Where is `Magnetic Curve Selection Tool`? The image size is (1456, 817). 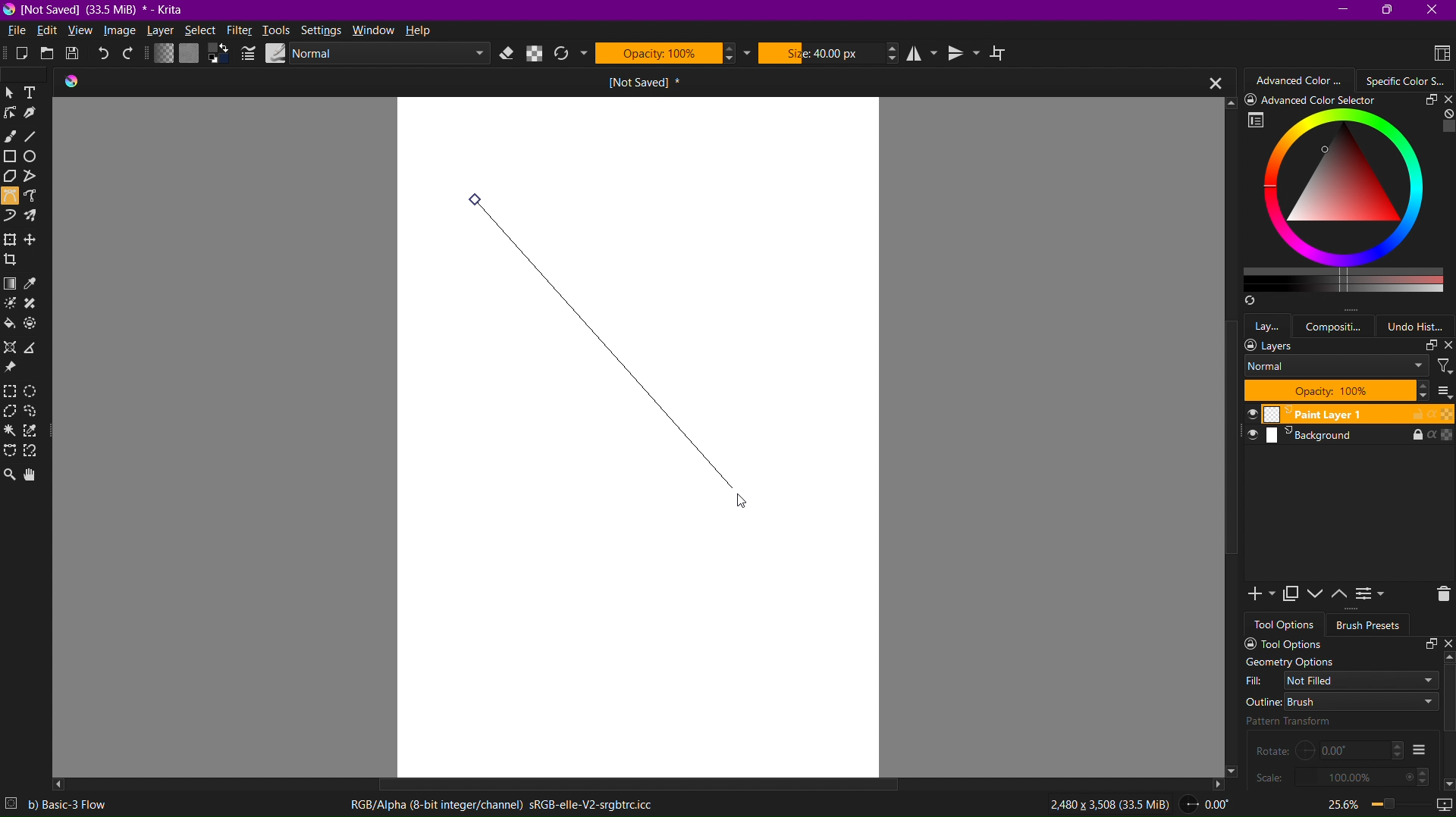
Magnetic Curve Selection Tool is located at coordinates (35, 452).